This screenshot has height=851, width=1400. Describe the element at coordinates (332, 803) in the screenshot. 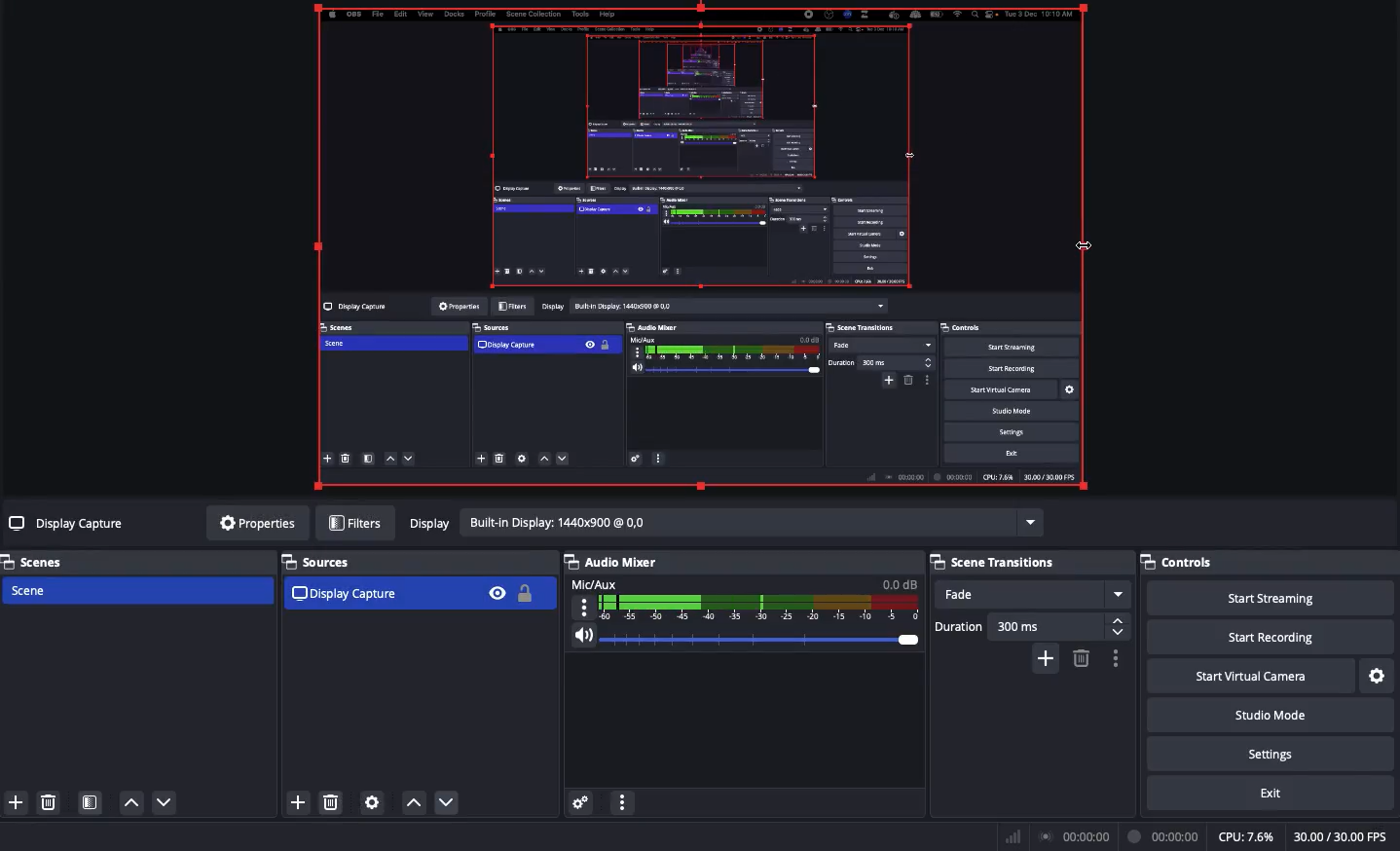

I see `Delete` at that location.